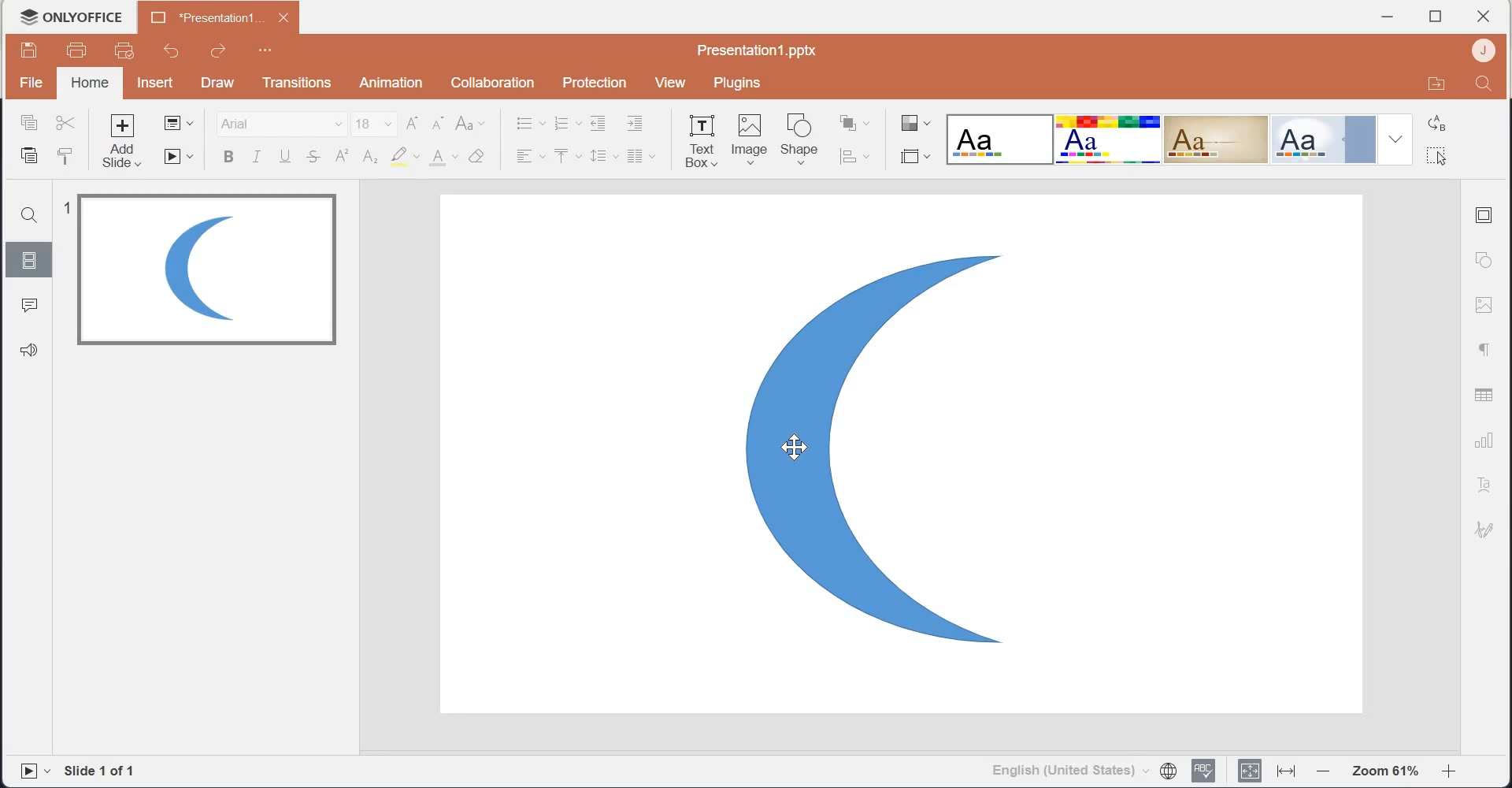 The image size is (1512, 788). What do you see at coordinates (369, 157) in the screenshot?
I see `Subscript` at bounding box center [369, 157].